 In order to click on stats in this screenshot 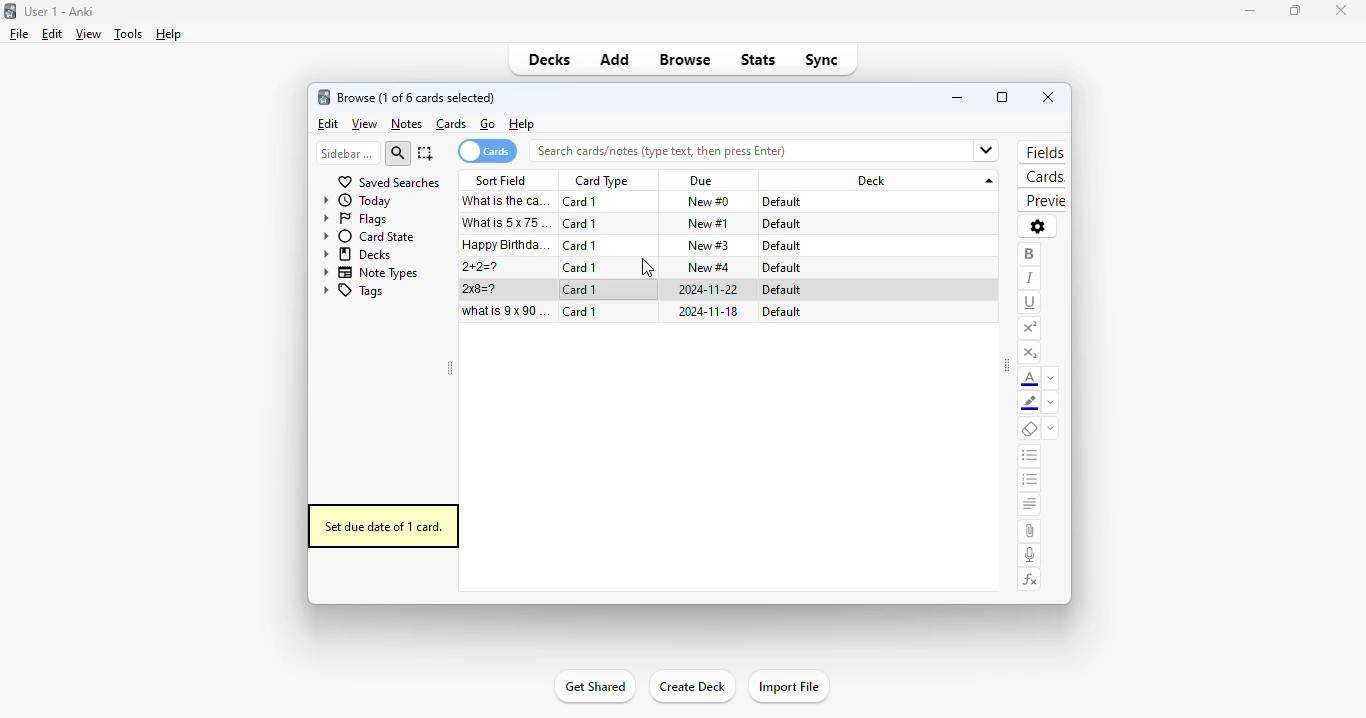, I will do `click(758, 59)`.